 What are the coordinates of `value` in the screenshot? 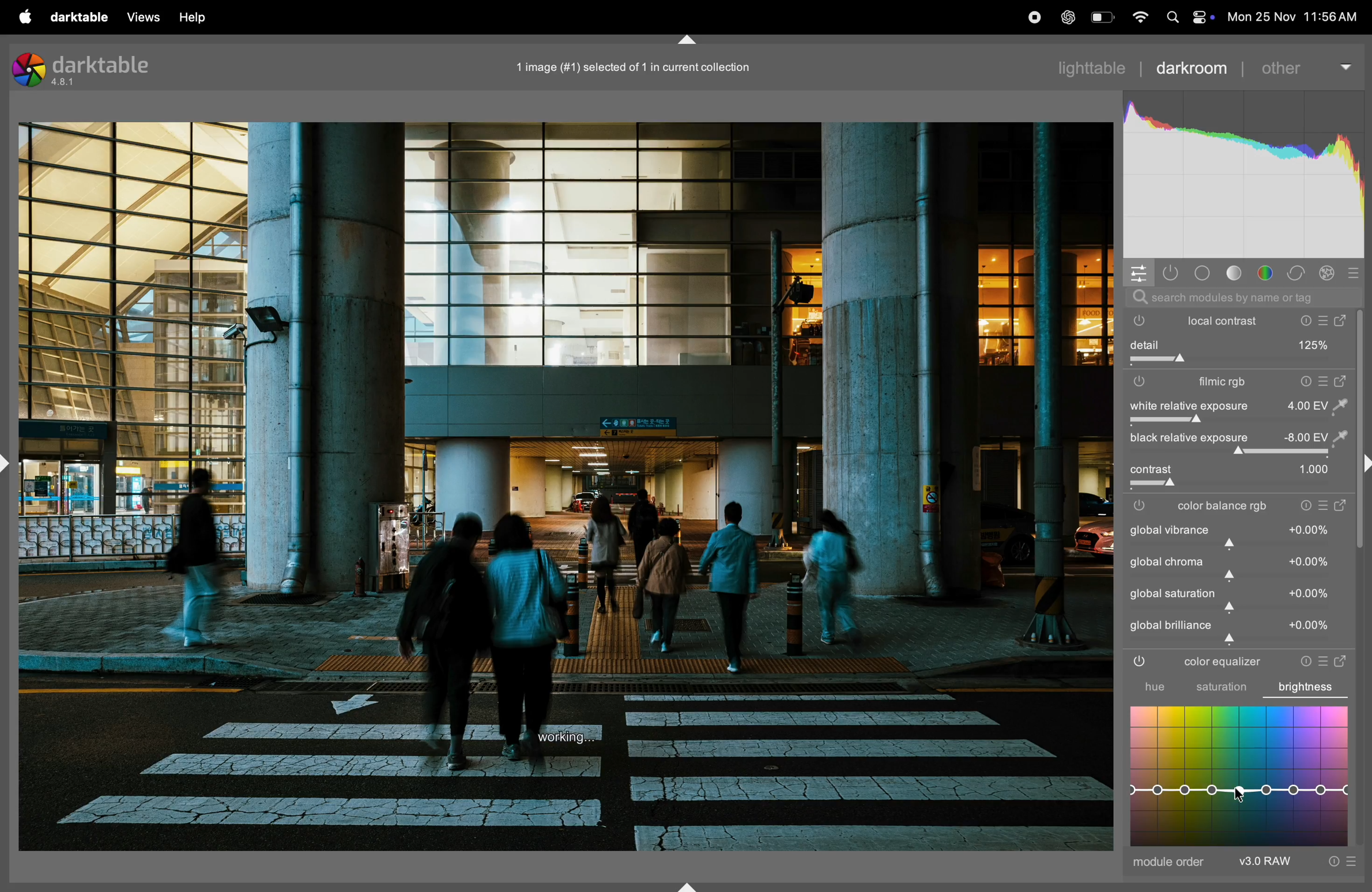 It's located at (1310, 626).